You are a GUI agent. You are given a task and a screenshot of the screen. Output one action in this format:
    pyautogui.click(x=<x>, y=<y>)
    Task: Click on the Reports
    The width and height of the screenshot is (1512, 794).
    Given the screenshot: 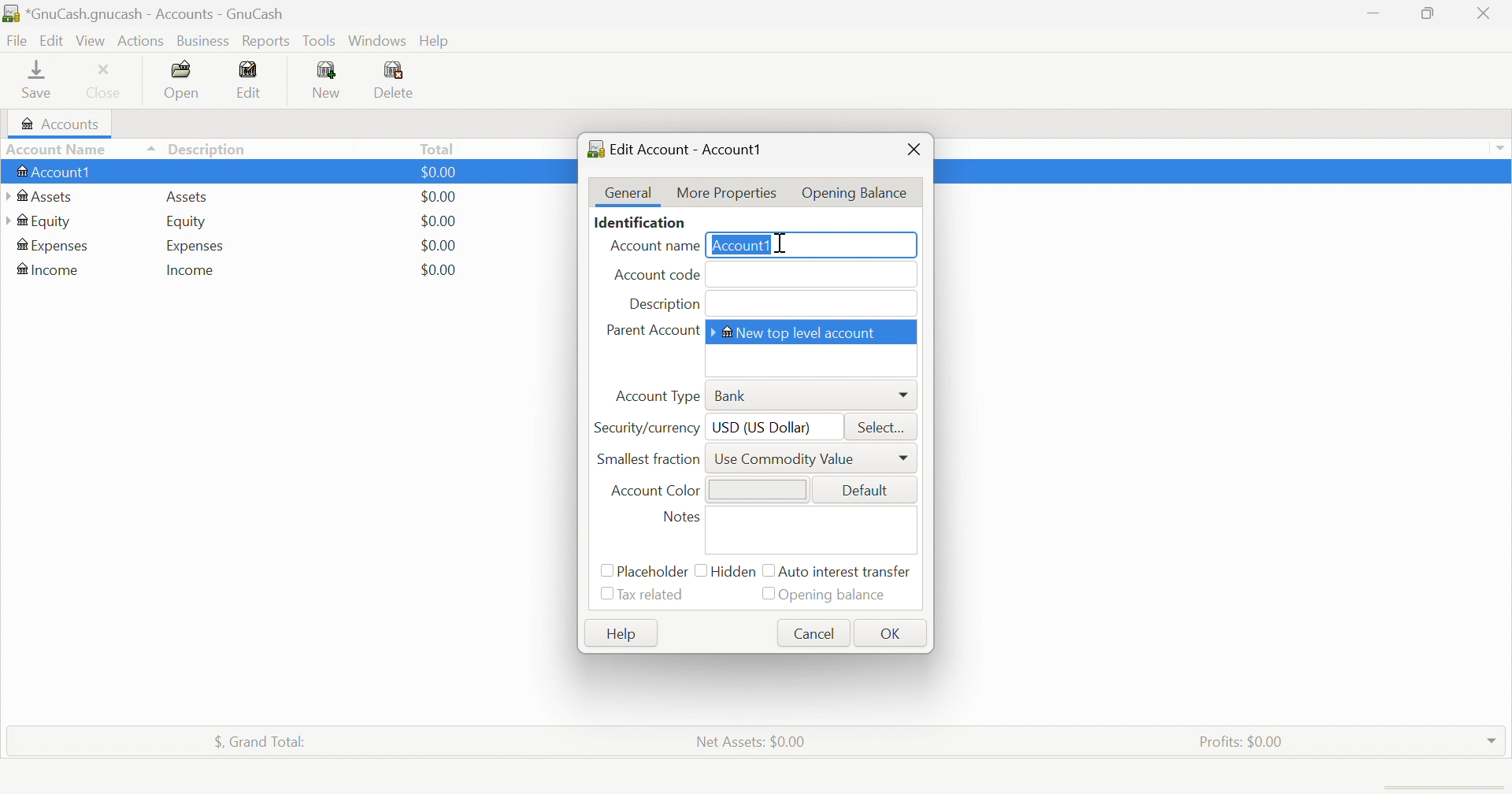 What is the action you would take?
    pyautogui.click(x=266, y=42)
    